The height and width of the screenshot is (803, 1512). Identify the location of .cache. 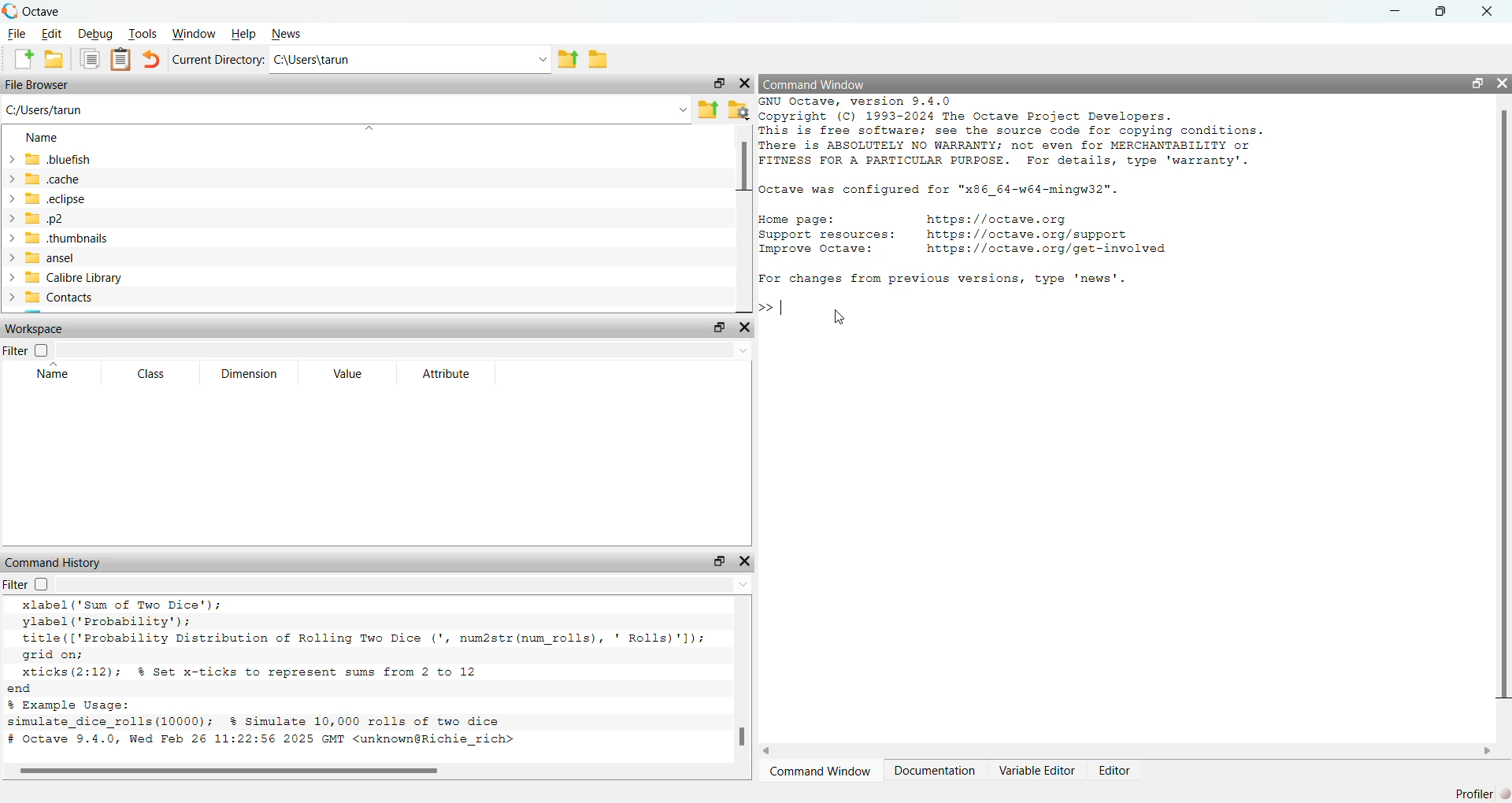
(42, 179).